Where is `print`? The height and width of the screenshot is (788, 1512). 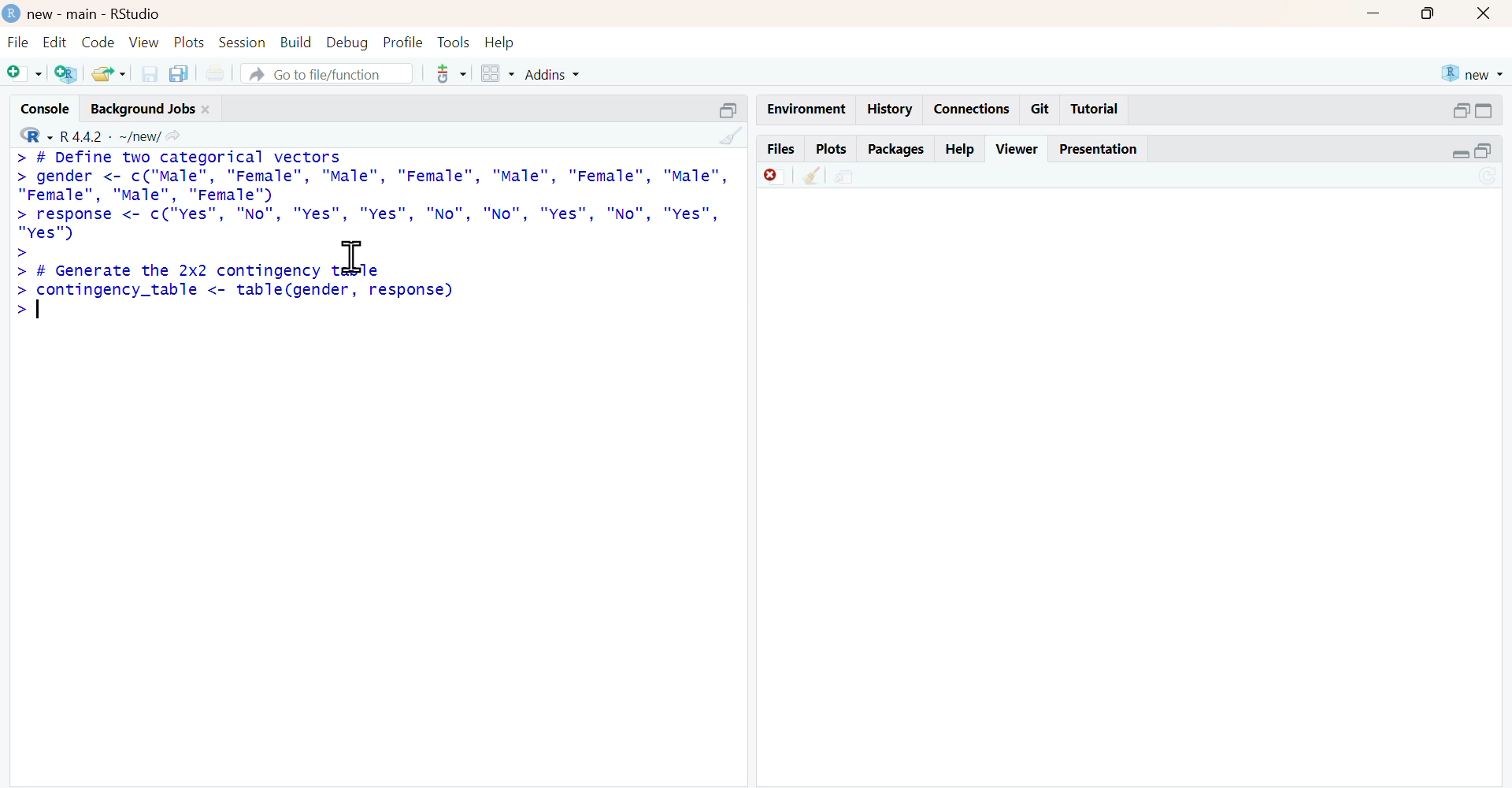 print is located at coordinates (217, 74).